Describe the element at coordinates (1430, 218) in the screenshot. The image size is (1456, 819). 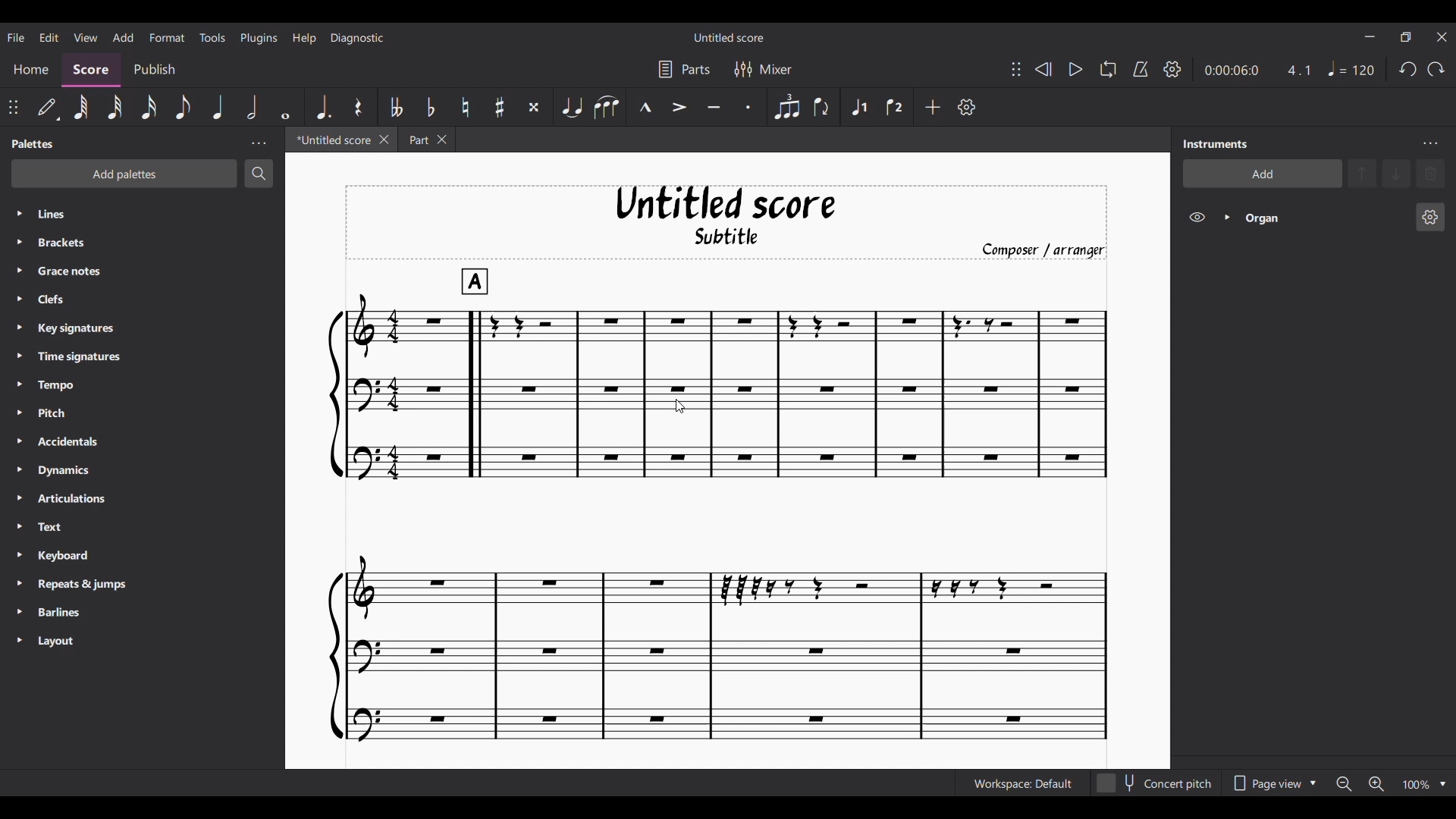
I see `Organ instrument settings` at that location.